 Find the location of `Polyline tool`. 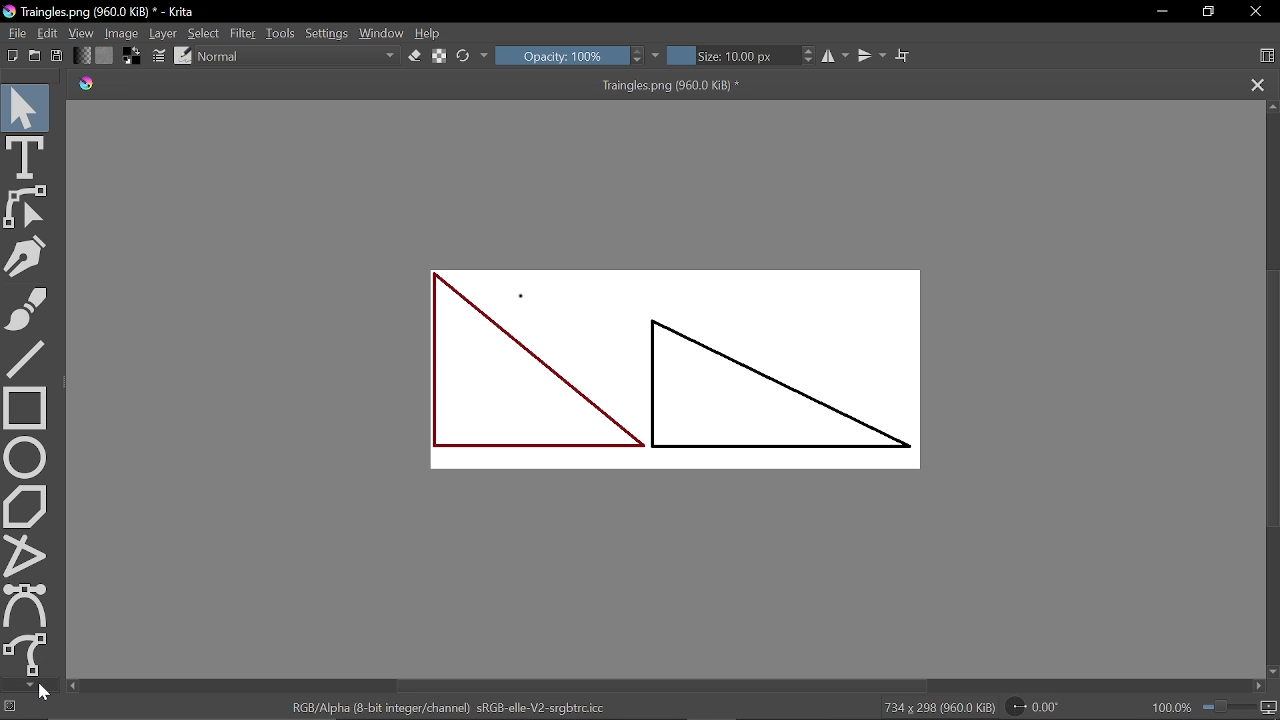

Polyline tool is located at coordinates (24, 555).